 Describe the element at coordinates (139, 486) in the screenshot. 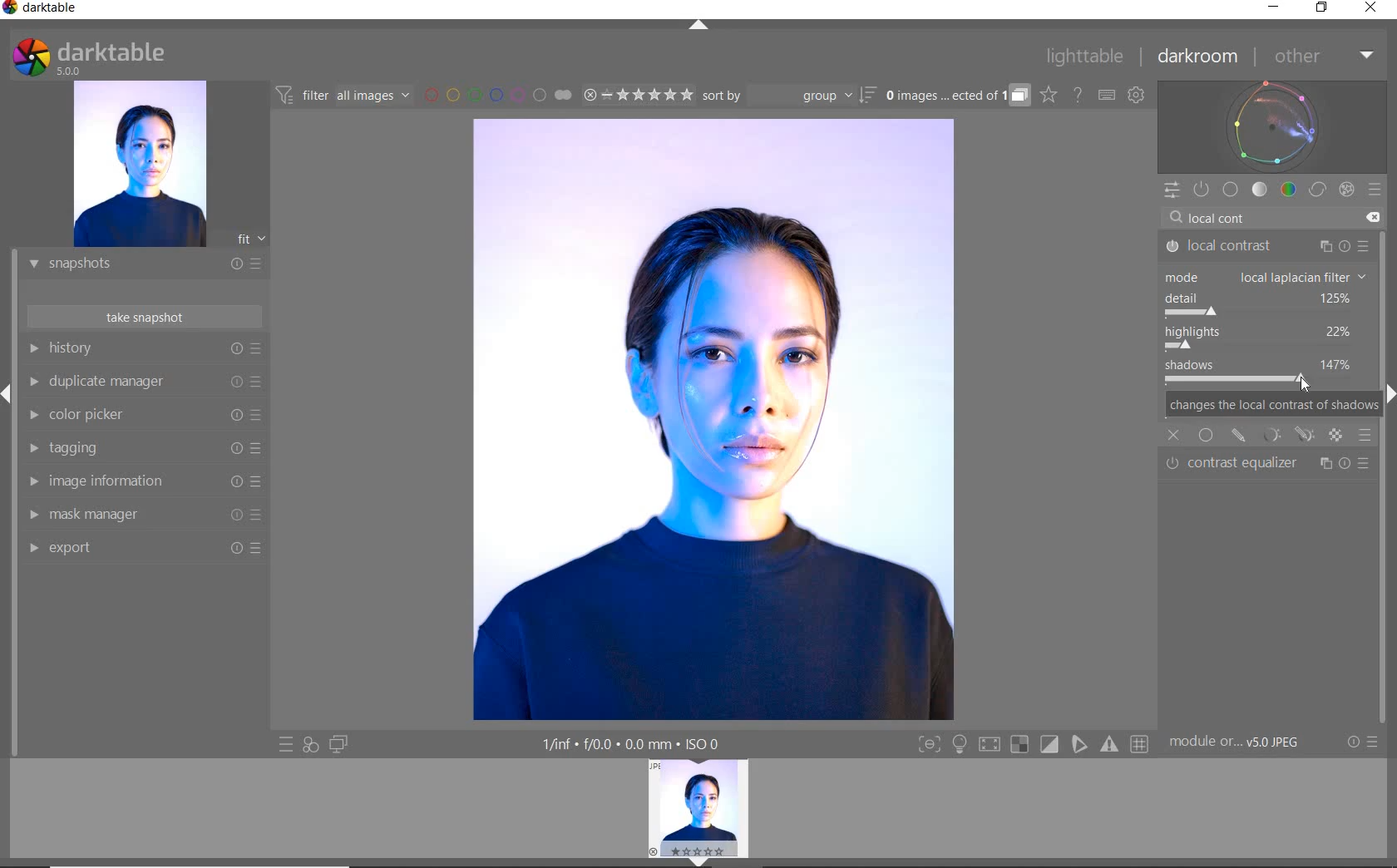

I see `IMAGE INFORMATION` at that location.